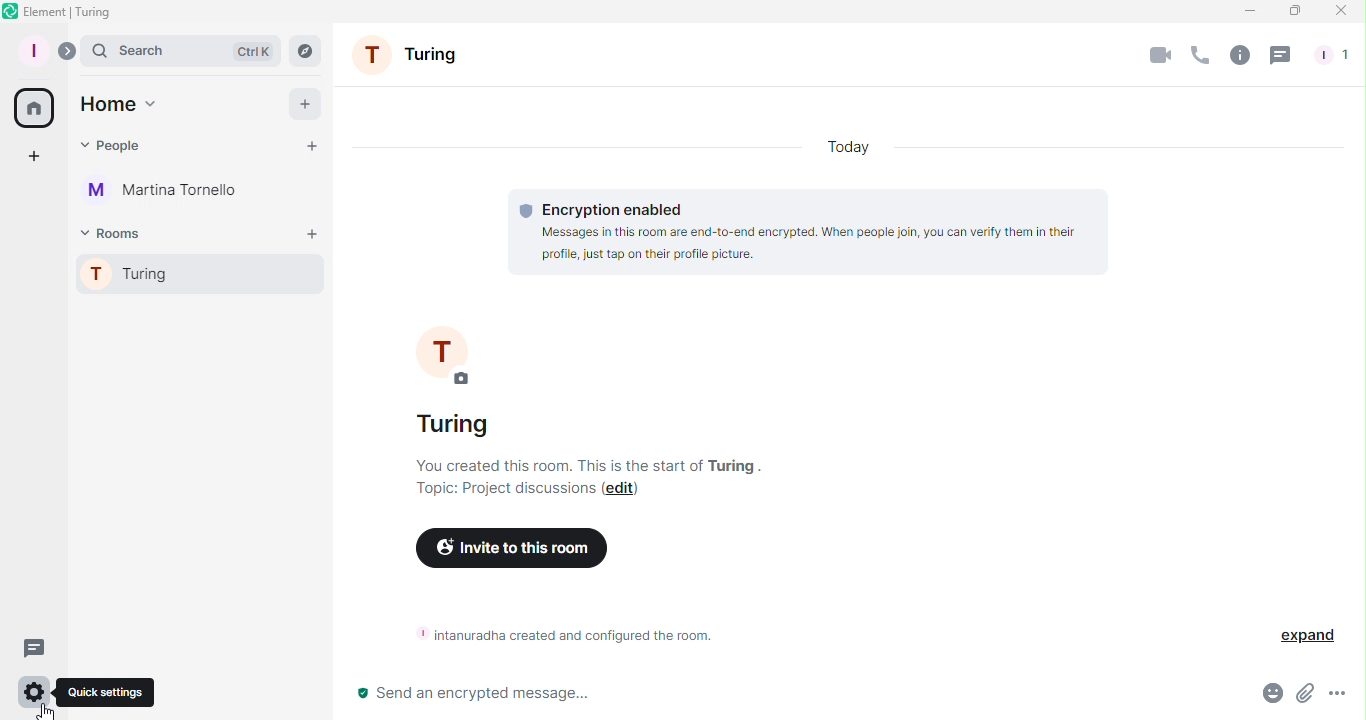  I want to click on People, so click(112, 145).